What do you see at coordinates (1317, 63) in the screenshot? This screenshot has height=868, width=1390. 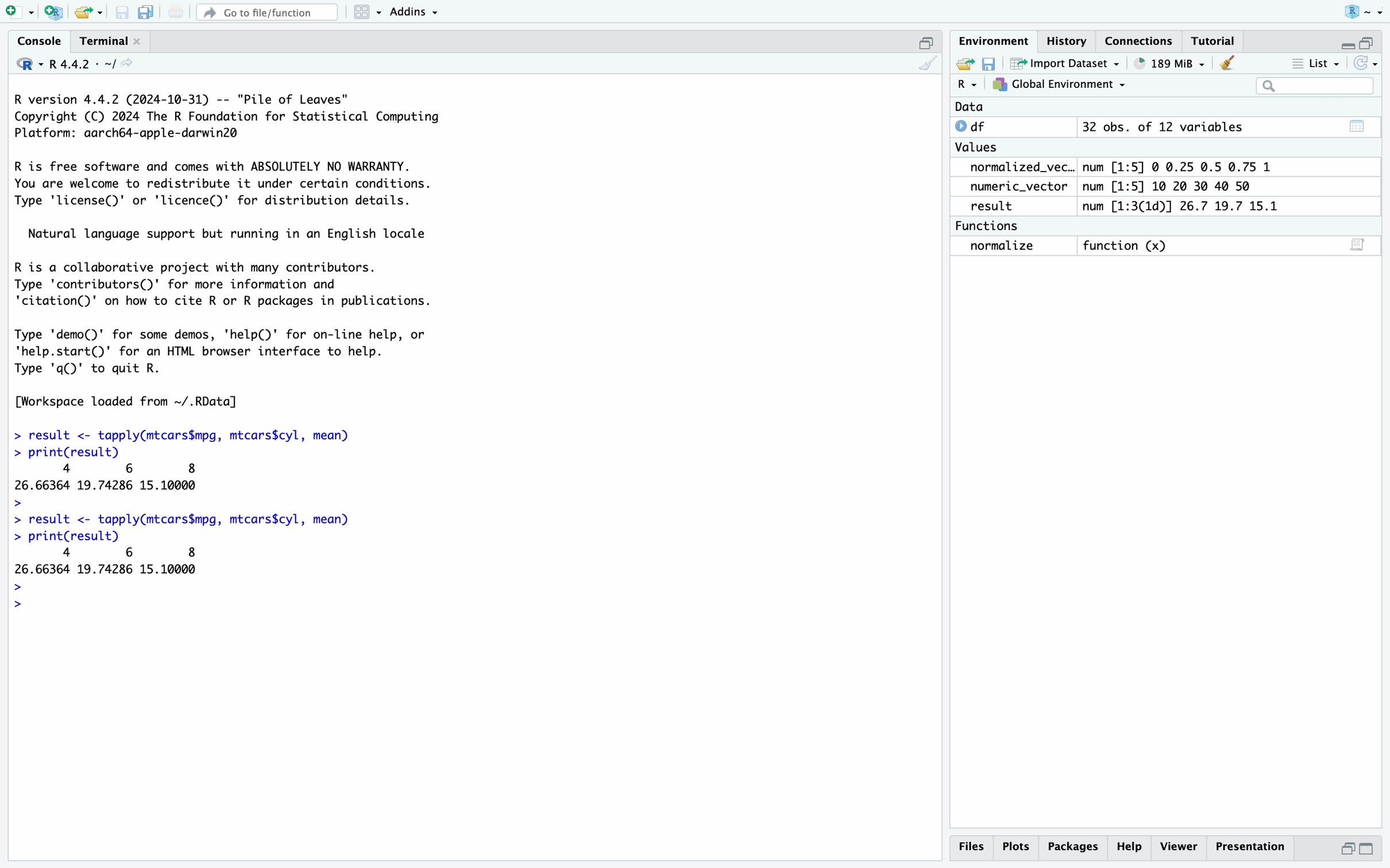 I see `List` at bounding box center [1317, 63].